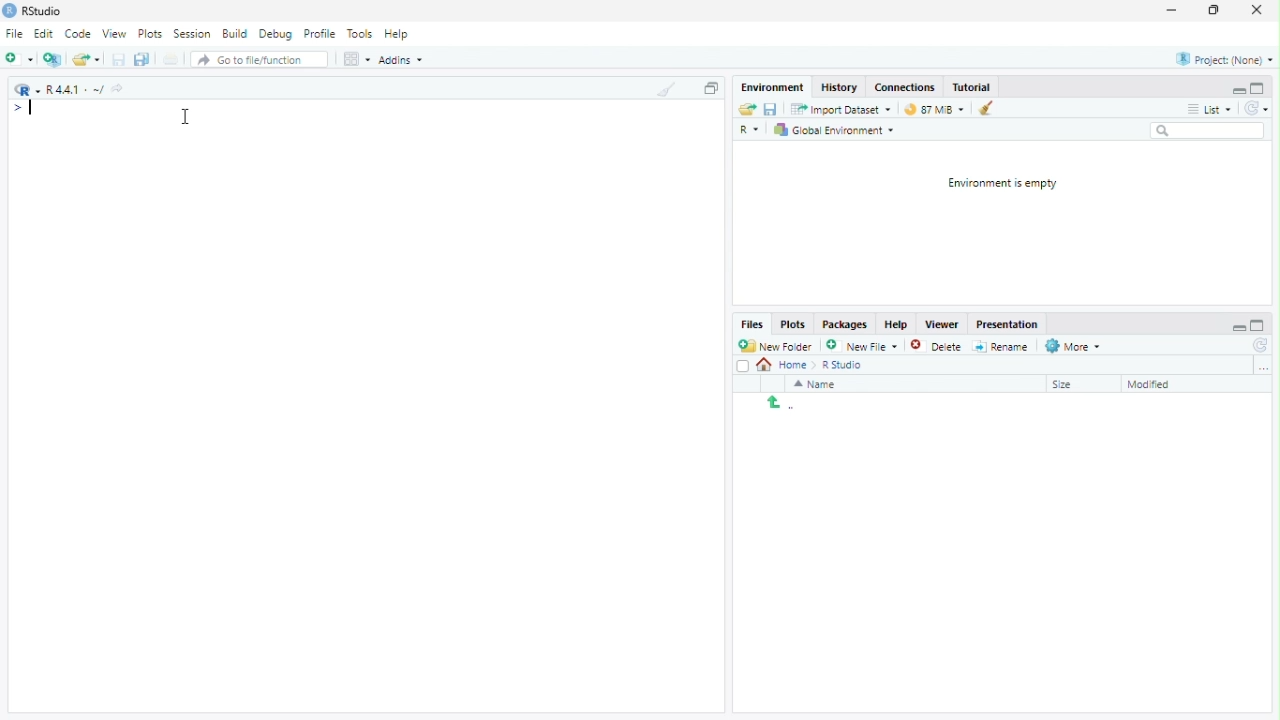 The image size is (1280, 720). Describe the element at coordinates (934, 107) in the screenshot. I see `87 MiB` at that location.